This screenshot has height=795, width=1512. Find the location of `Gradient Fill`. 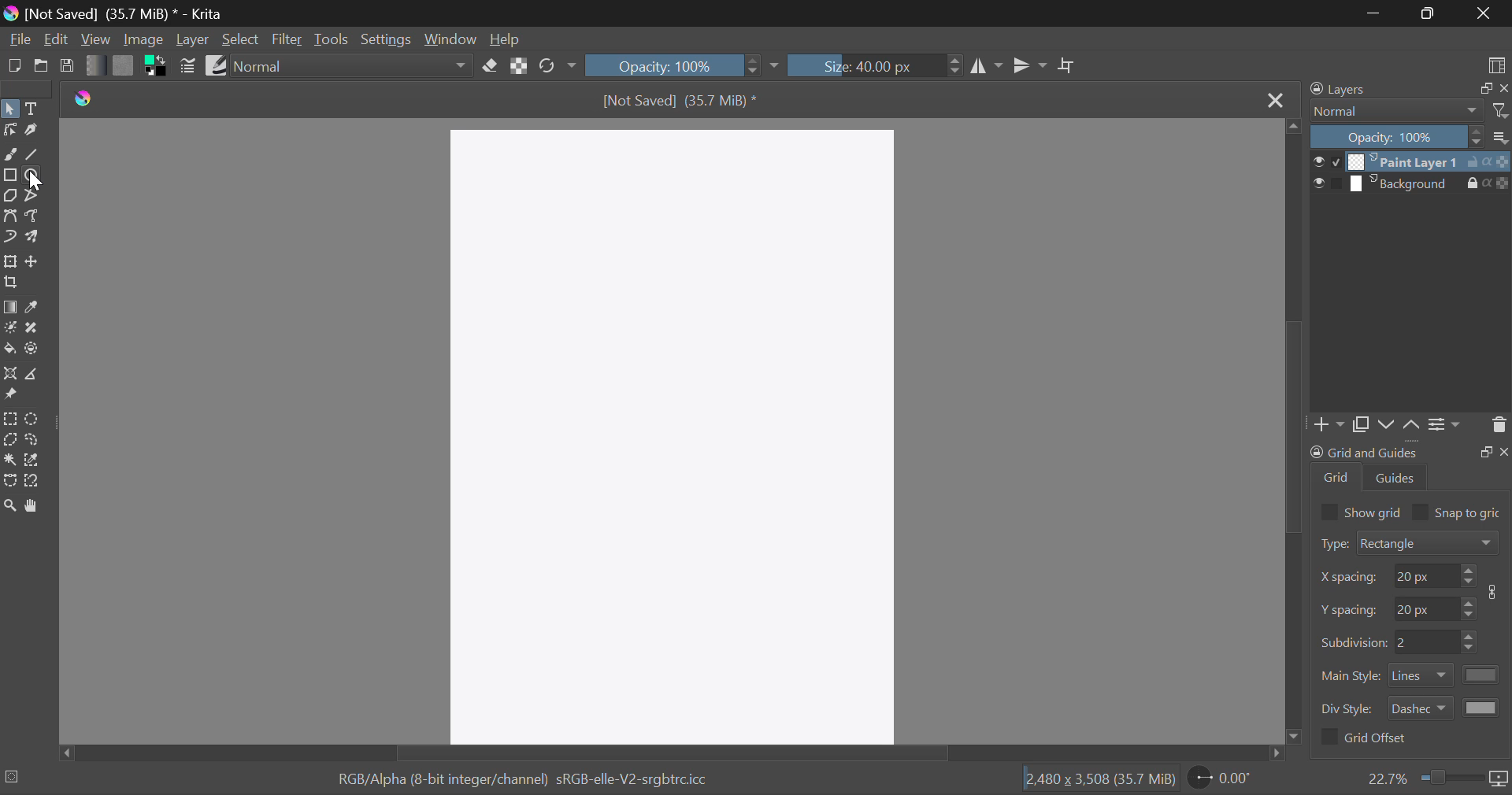

Gradient Fill is located at coordinates (11, 307).